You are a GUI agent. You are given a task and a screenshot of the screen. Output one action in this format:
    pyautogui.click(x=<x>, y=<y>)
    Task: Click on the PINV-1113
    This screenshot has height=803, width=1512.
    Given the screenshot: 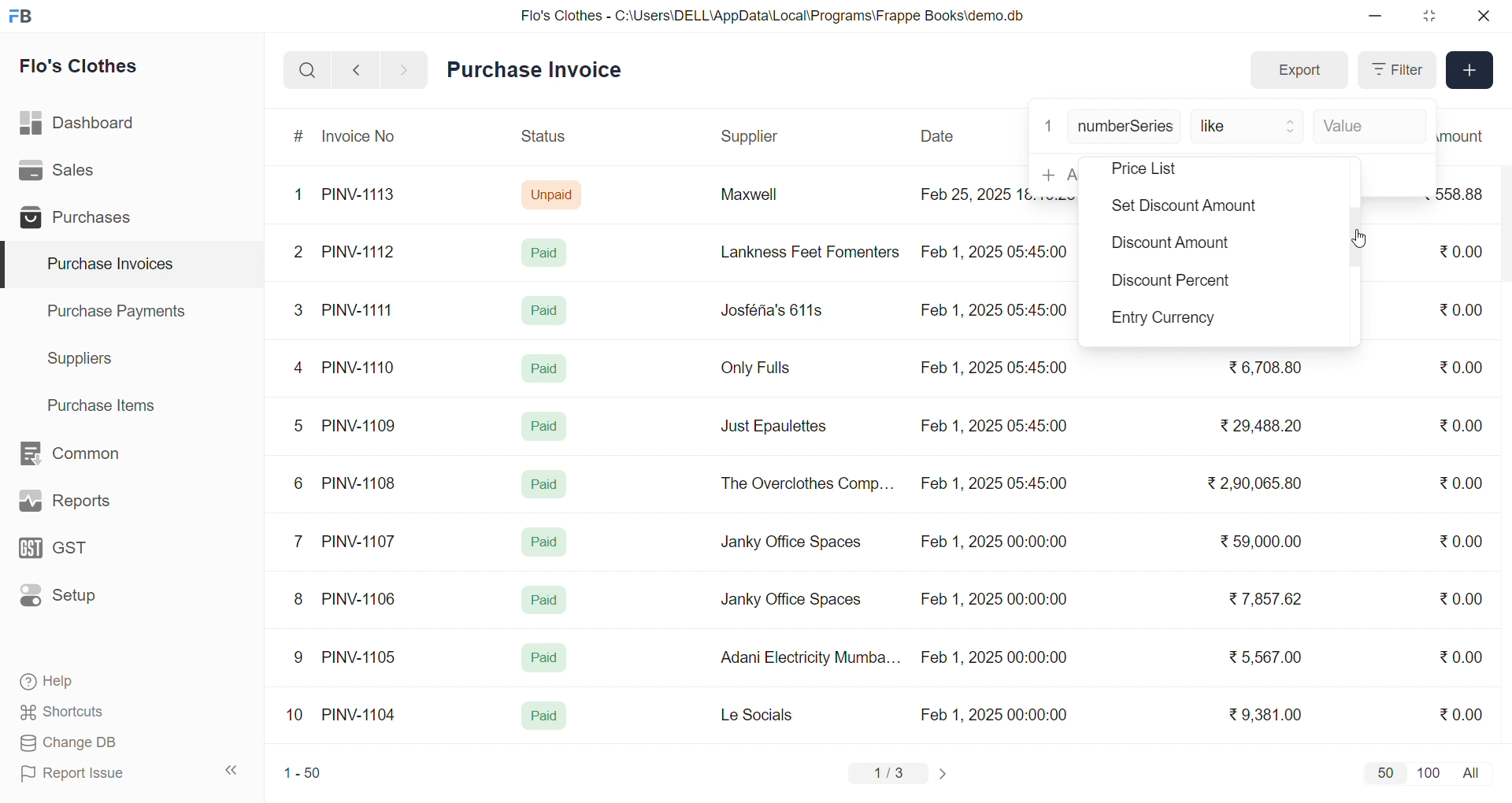 What is the action you would take?
    pyautogui.click(x=365, y=196)
    